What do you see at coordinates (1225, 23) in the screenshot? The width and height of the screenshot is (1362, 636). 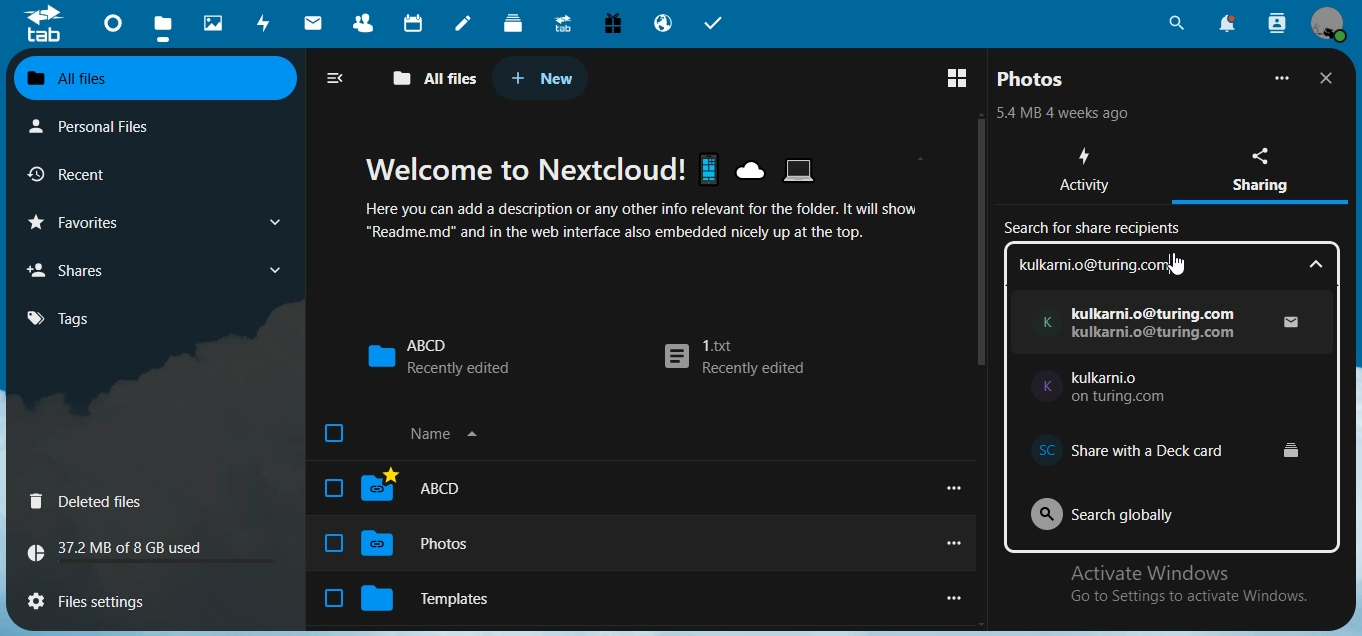 I see `notifications` at bounding box center [1225, 23].